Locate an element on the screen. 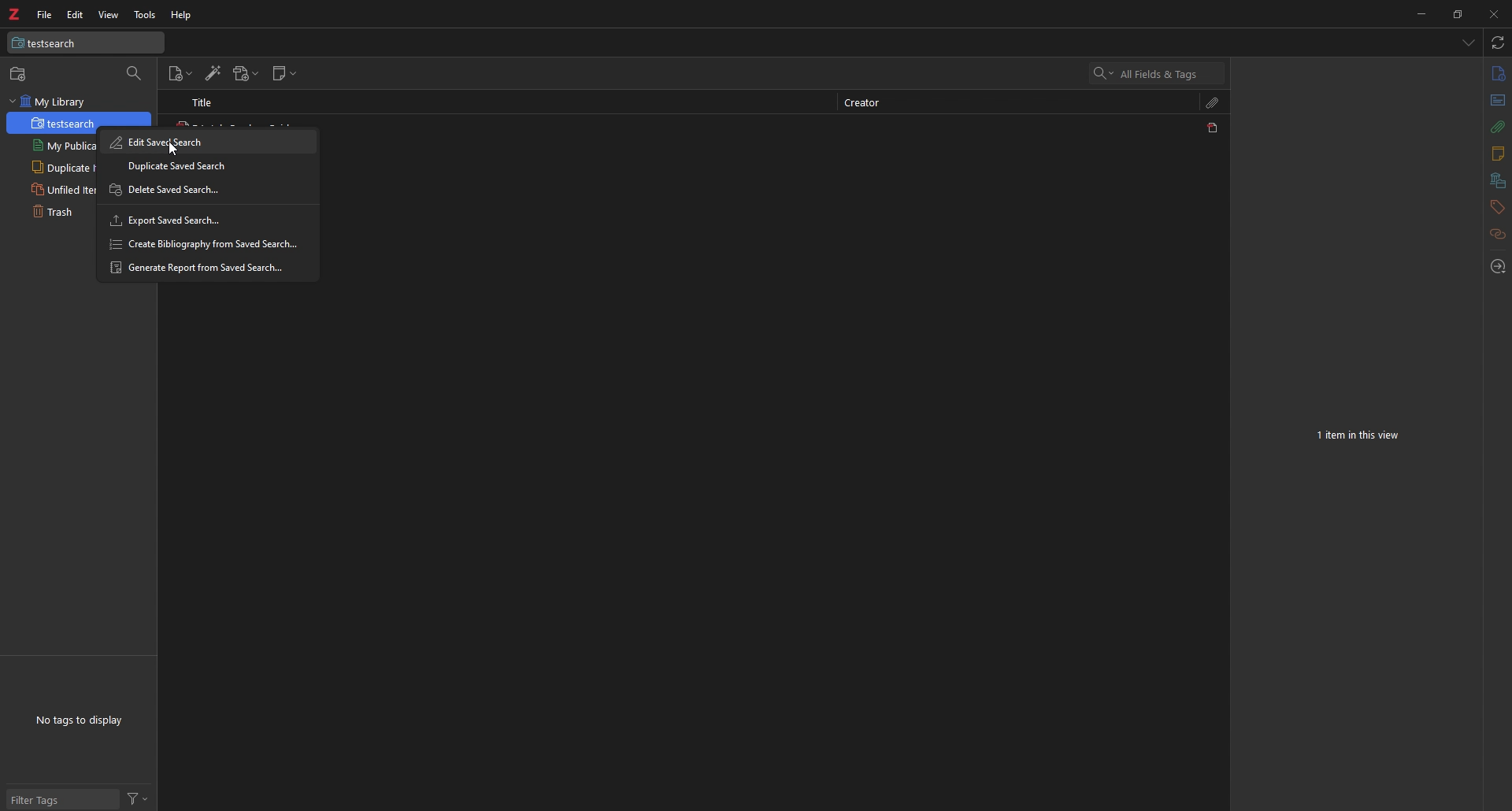 This screenshot has height=811, width=1512. add items by identifier is located at coordinates (213, 73).